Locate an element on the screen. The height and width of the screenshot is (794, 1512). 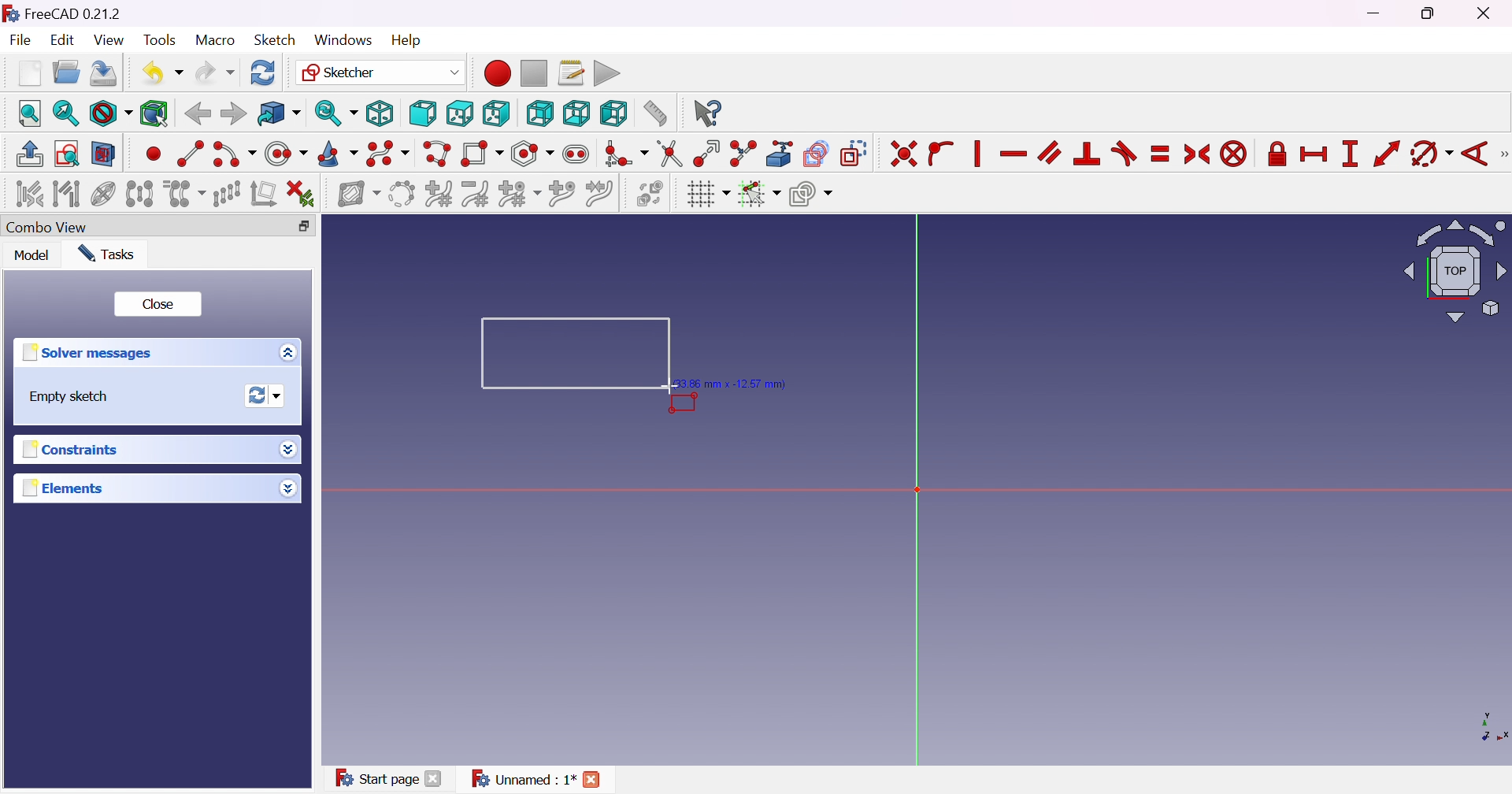
Elements is located at coordinates (64, 488).